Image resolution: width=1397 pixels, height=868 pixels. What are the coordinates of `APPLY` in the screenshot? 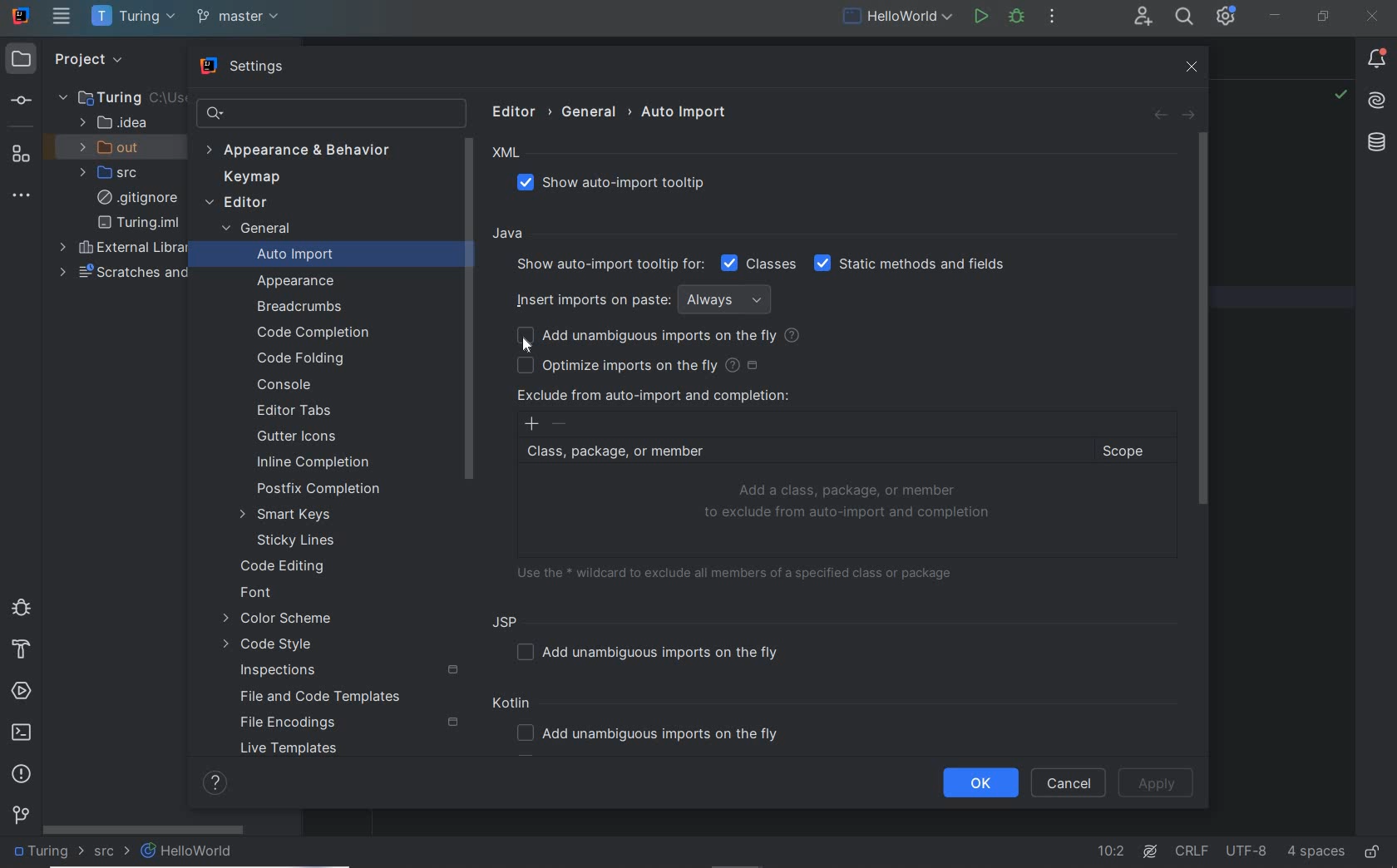 It's located at (1158, 783).